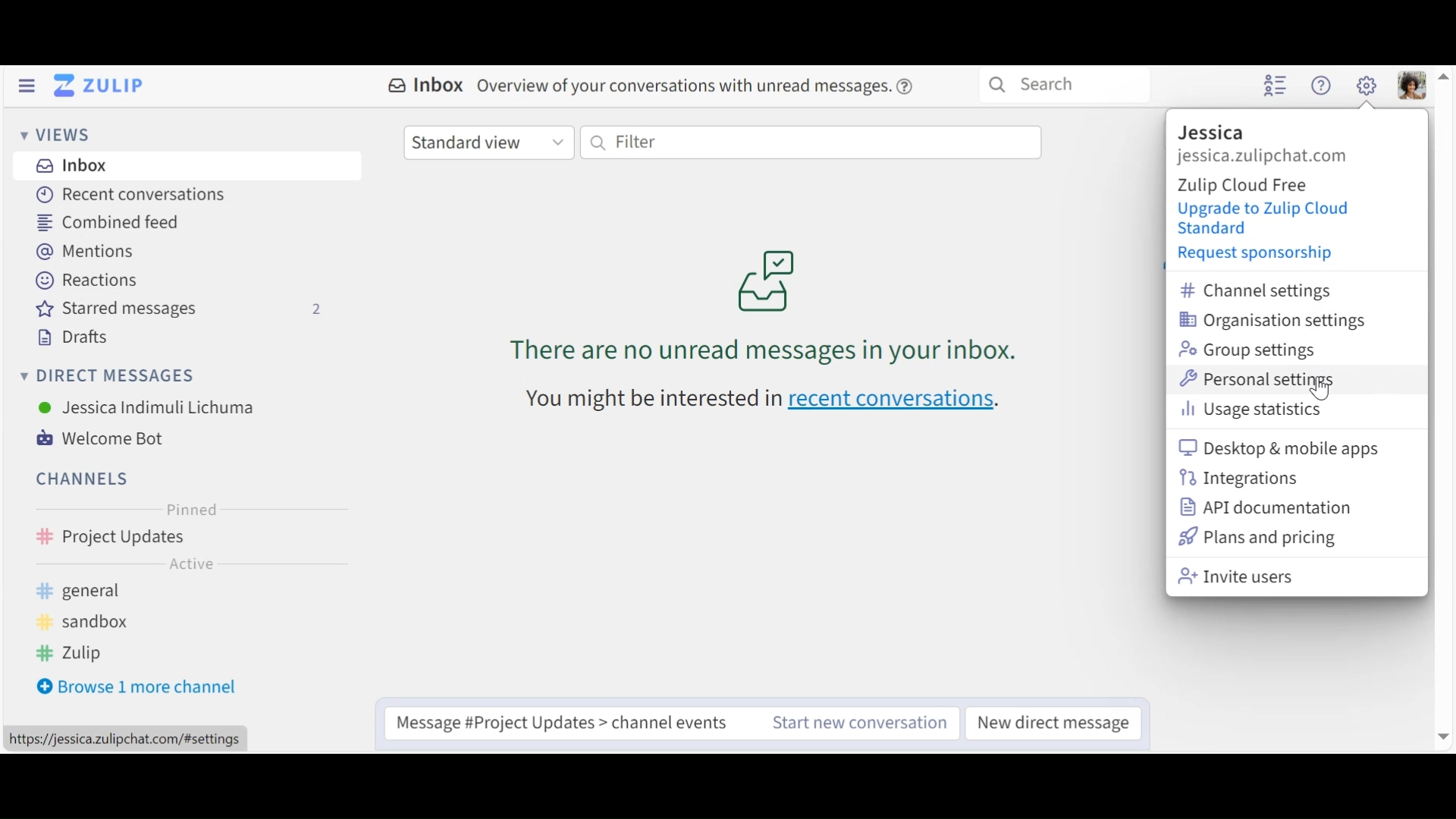 Image resolution: width=1456 pixels, height=819 pixels. What do you see at coordinates (1262, 219) in the screenshot?
I see `Upgrade` at bounding box center [1262, 219].